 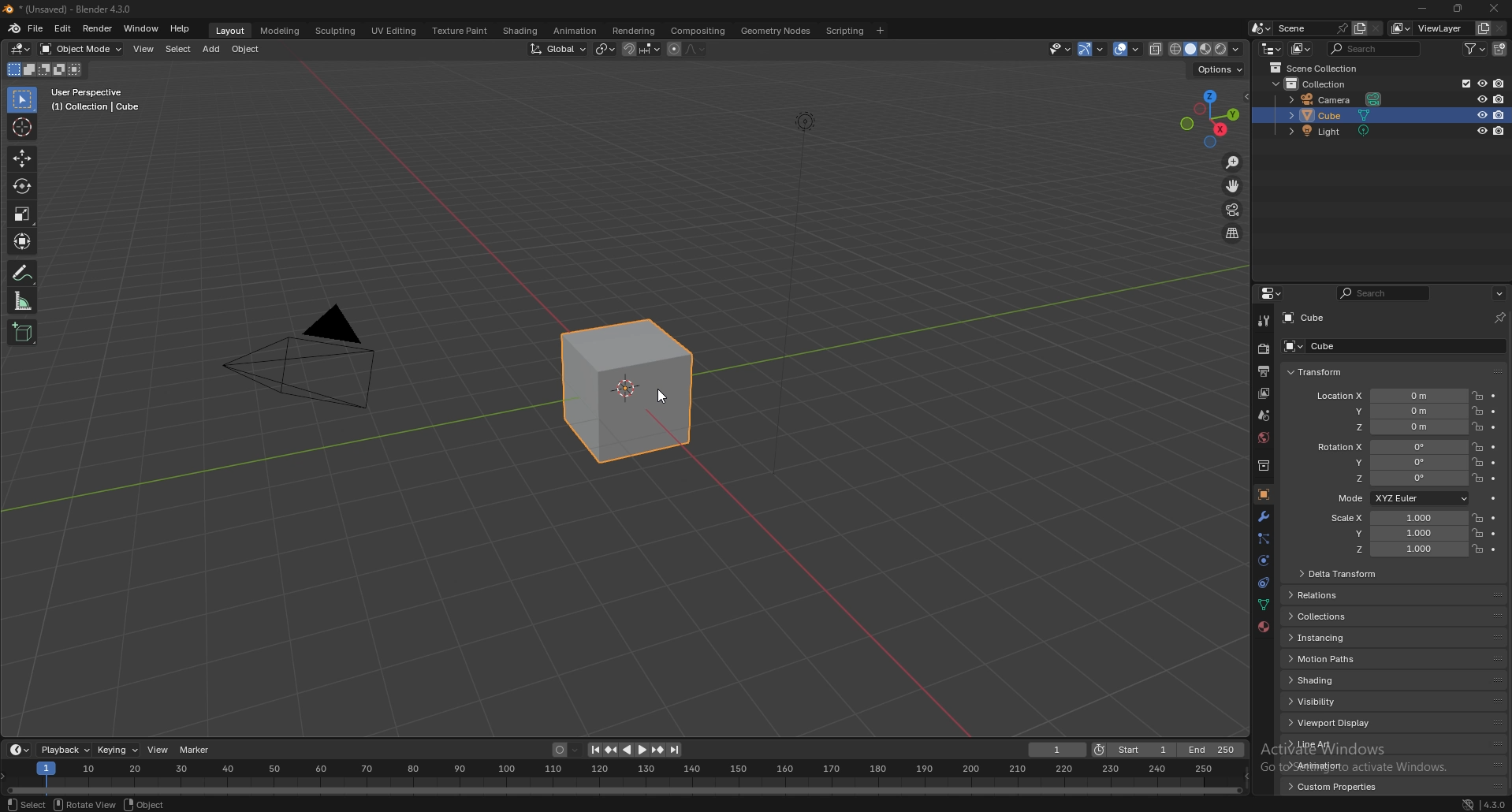 I want to click on camera, so click(x=307, y=355).